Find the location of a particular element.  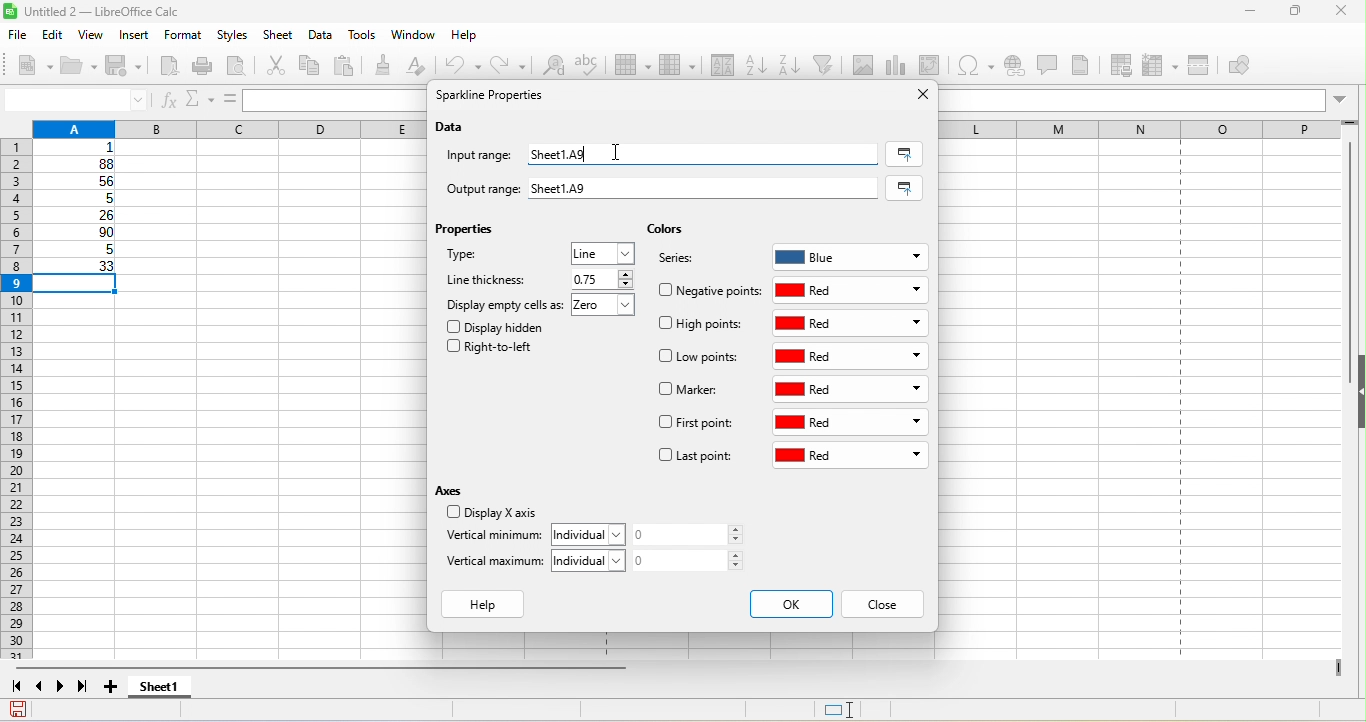

series is located at coordinates (686, 261).